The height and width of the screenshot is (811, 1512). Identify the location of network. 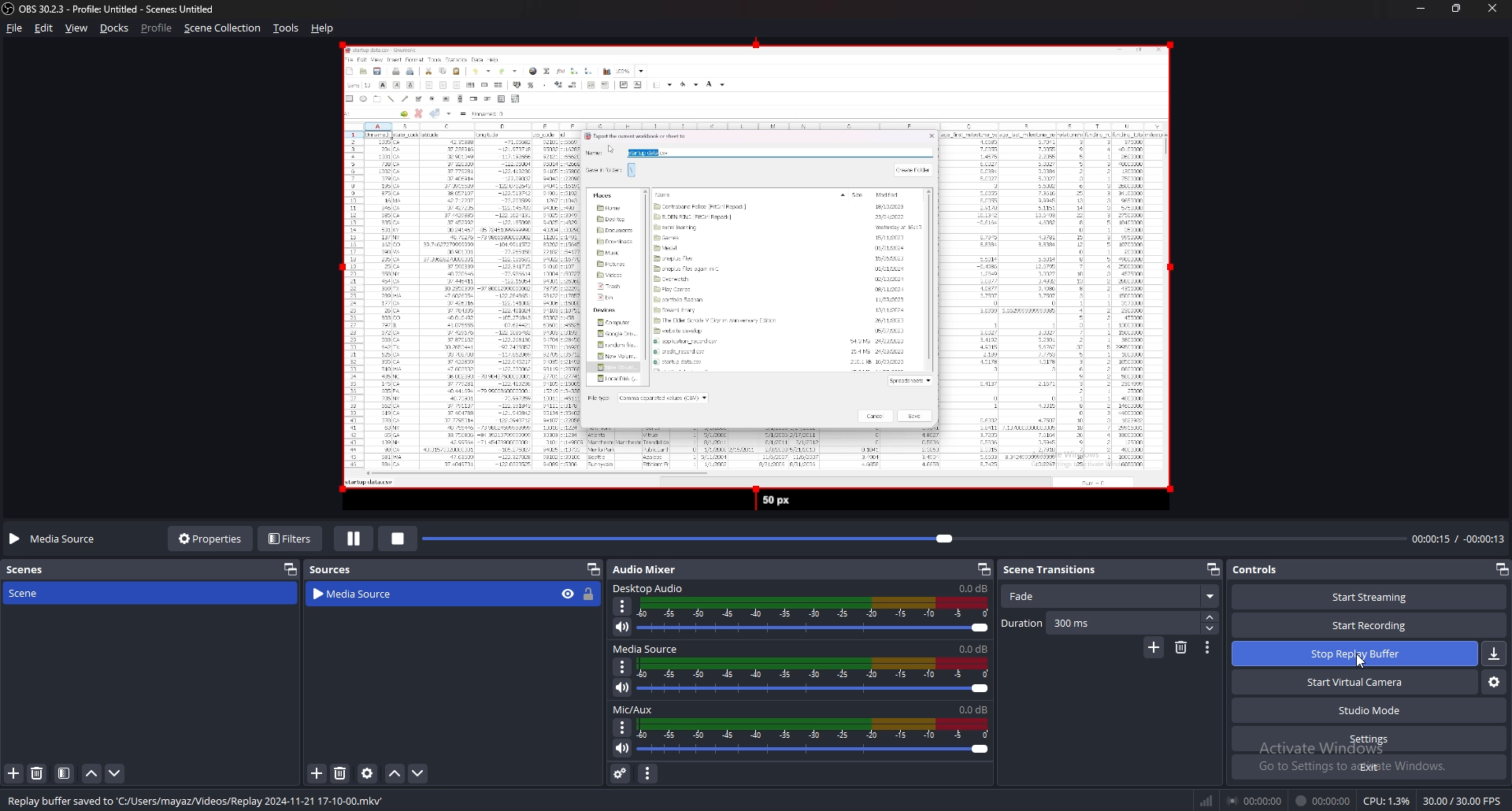
(1208, 801).